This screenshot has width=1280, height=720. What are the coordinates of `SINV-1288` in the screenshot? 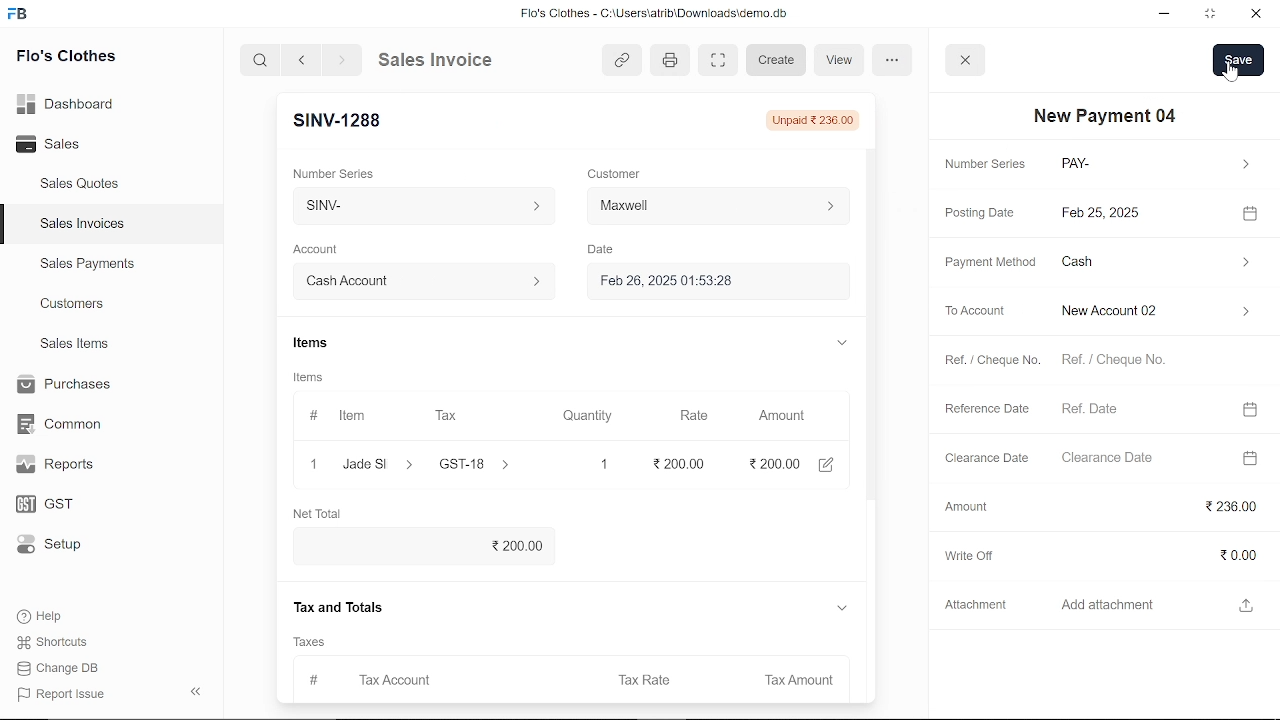 It's located at (336, 121).